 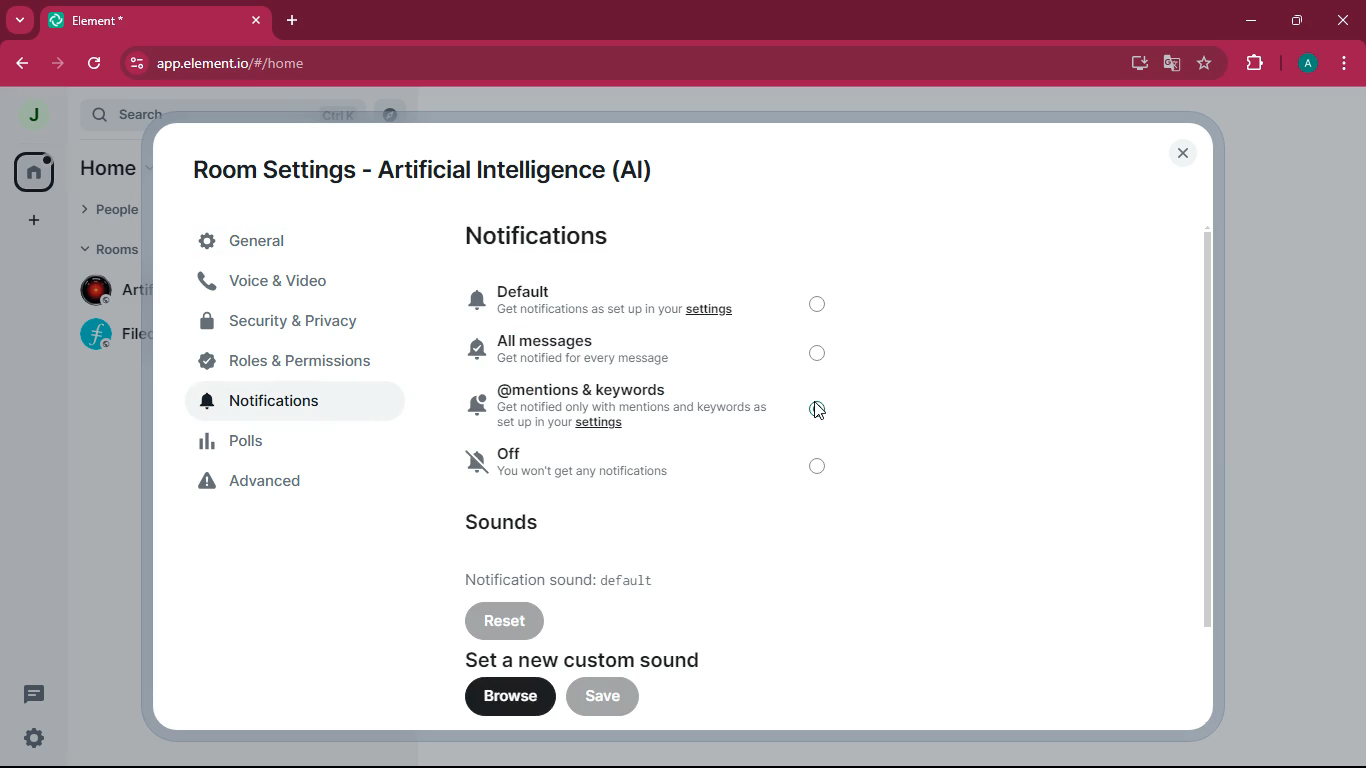 I want to click on extensions, so click(x=1255, y=63).